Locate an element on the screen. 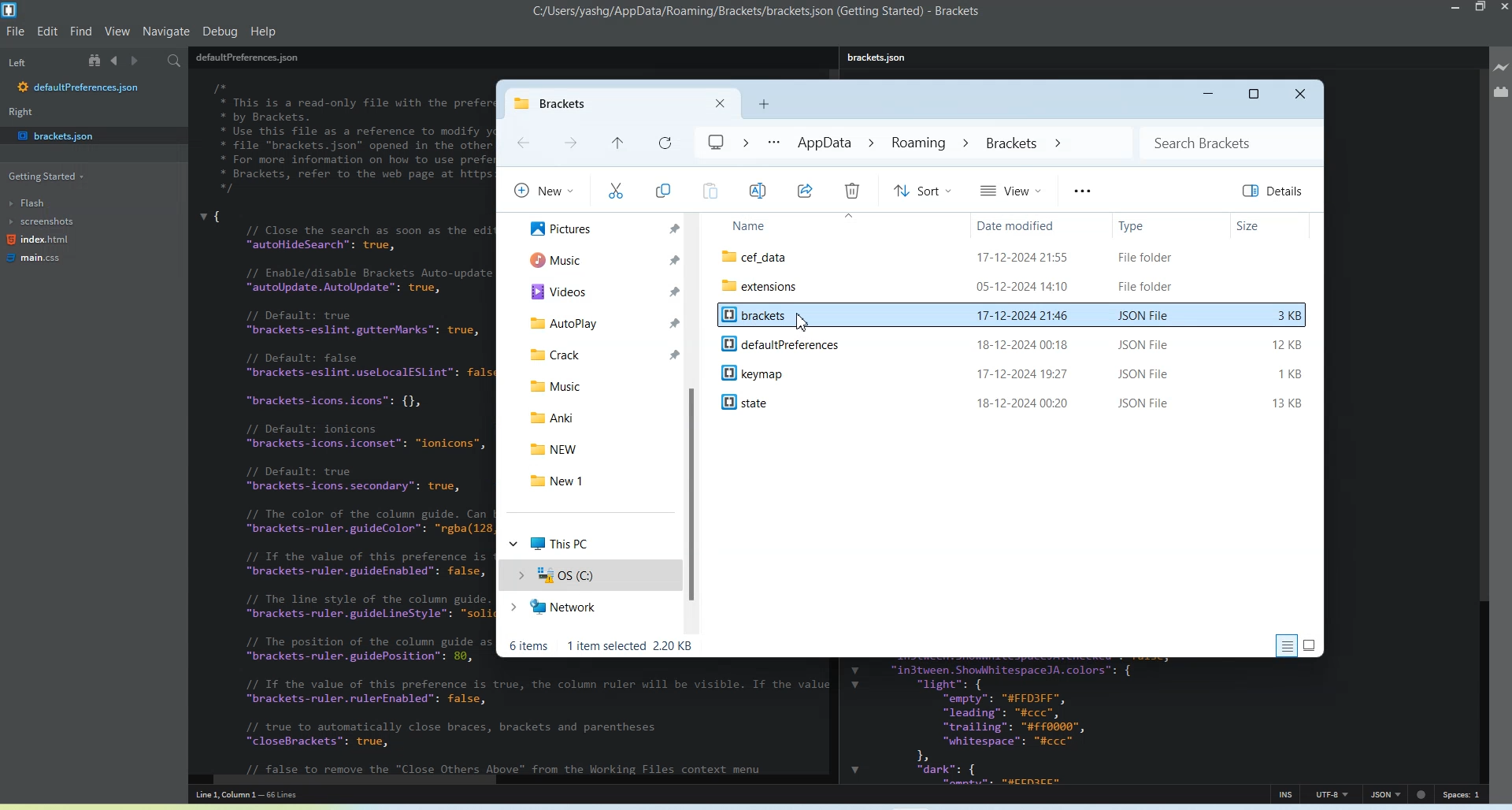 Image resolution: width=1512 pixels, height=810 pixels. Right window is located at coordinates (24, 113).